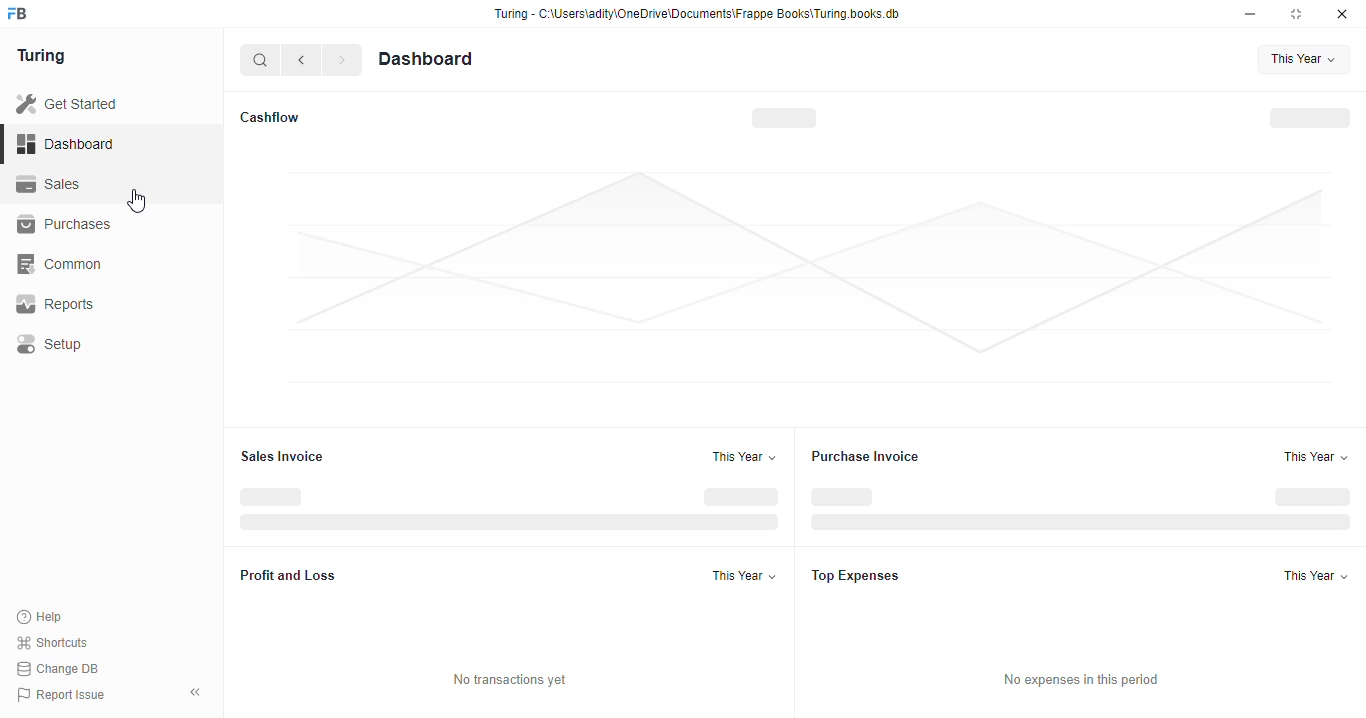 Image resolution: width=1366 pixels, height=718 pixels. What do you see at coordinates (46, 57) in the screenshot?
I see `Turing` at bounding box center [46, 57].